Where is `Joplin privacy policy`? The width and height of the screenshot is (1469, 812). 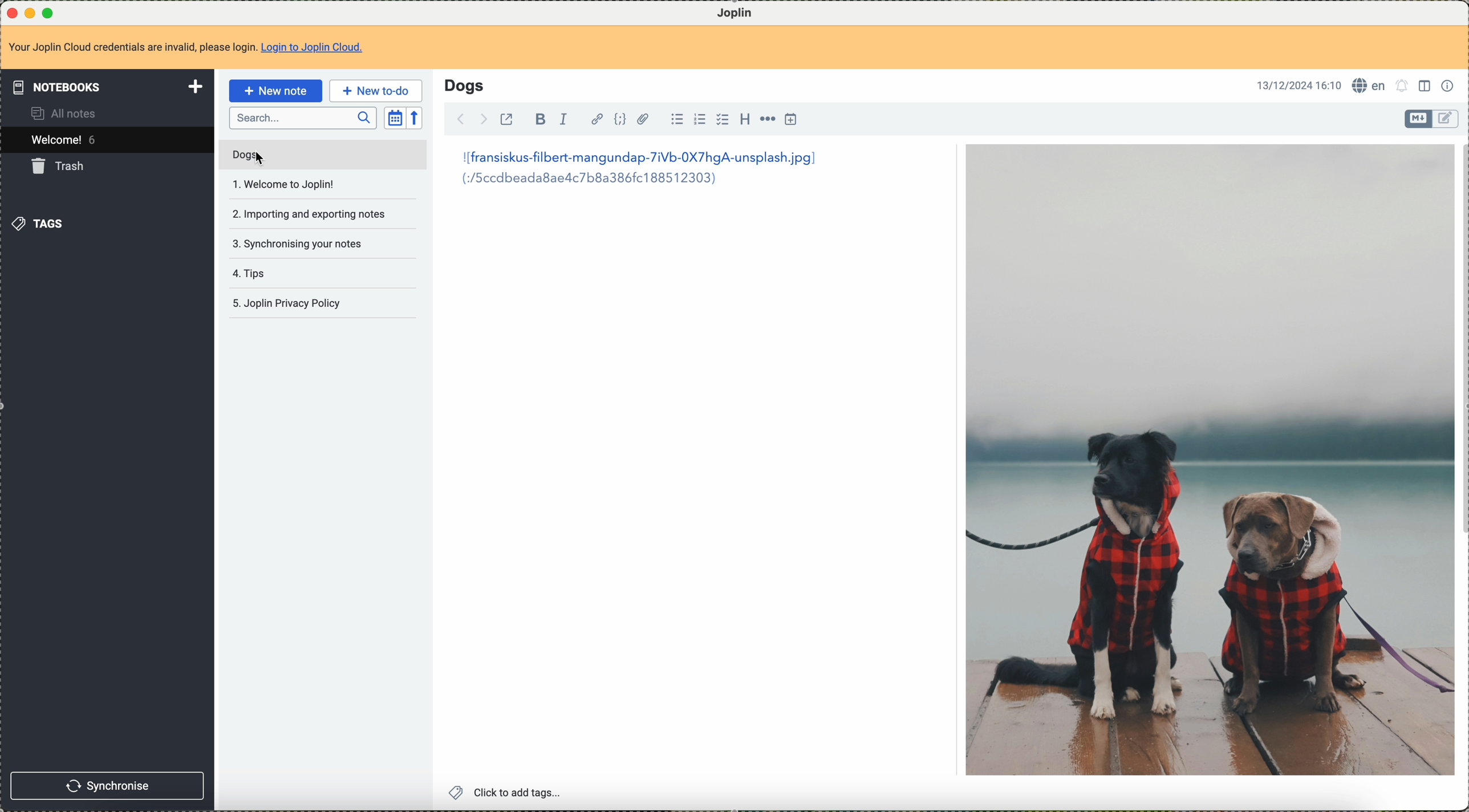 Joplin privacy policy is located at coordinates (289, 302).